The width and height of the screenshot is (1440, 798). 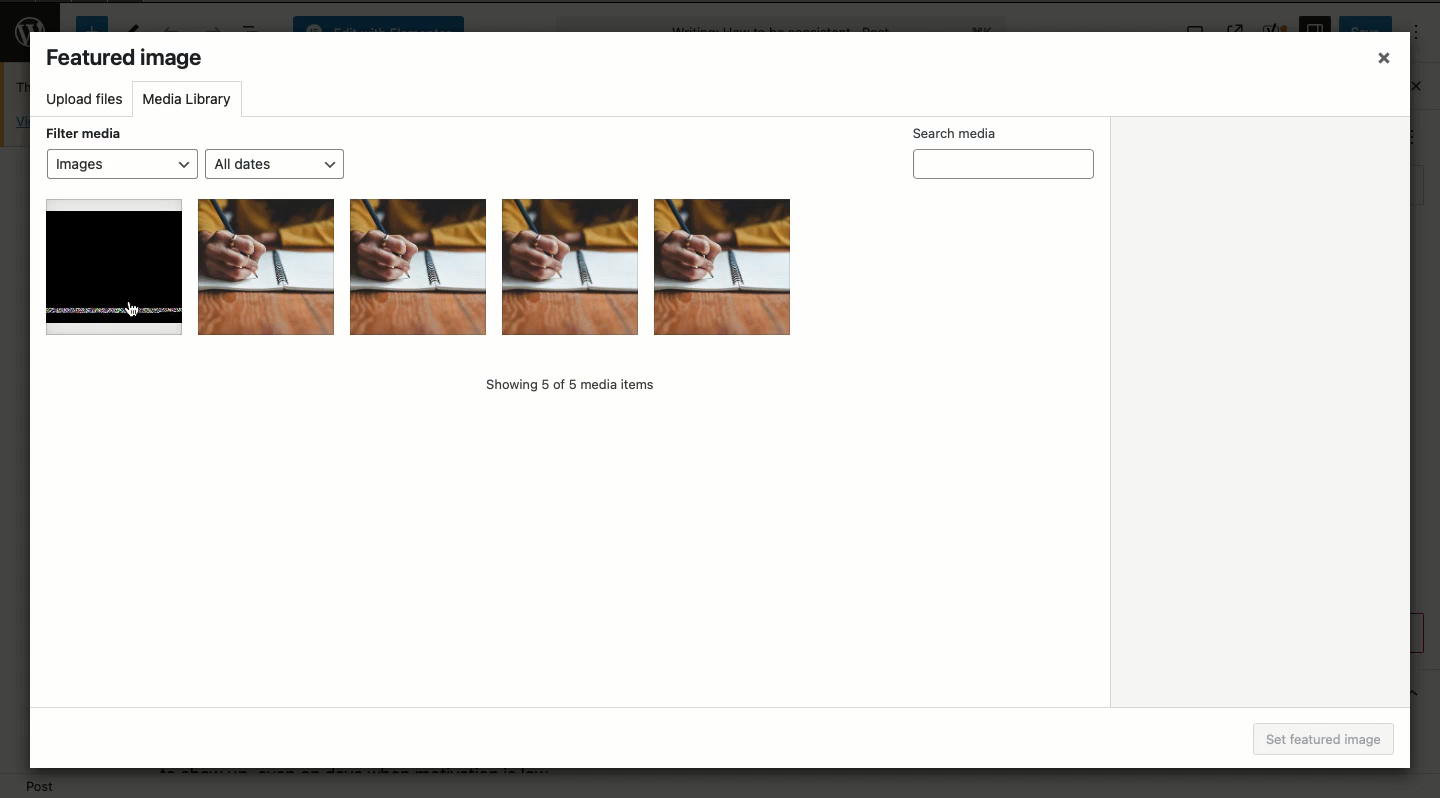 I want to click on All dates, so click(x=274, y=163).